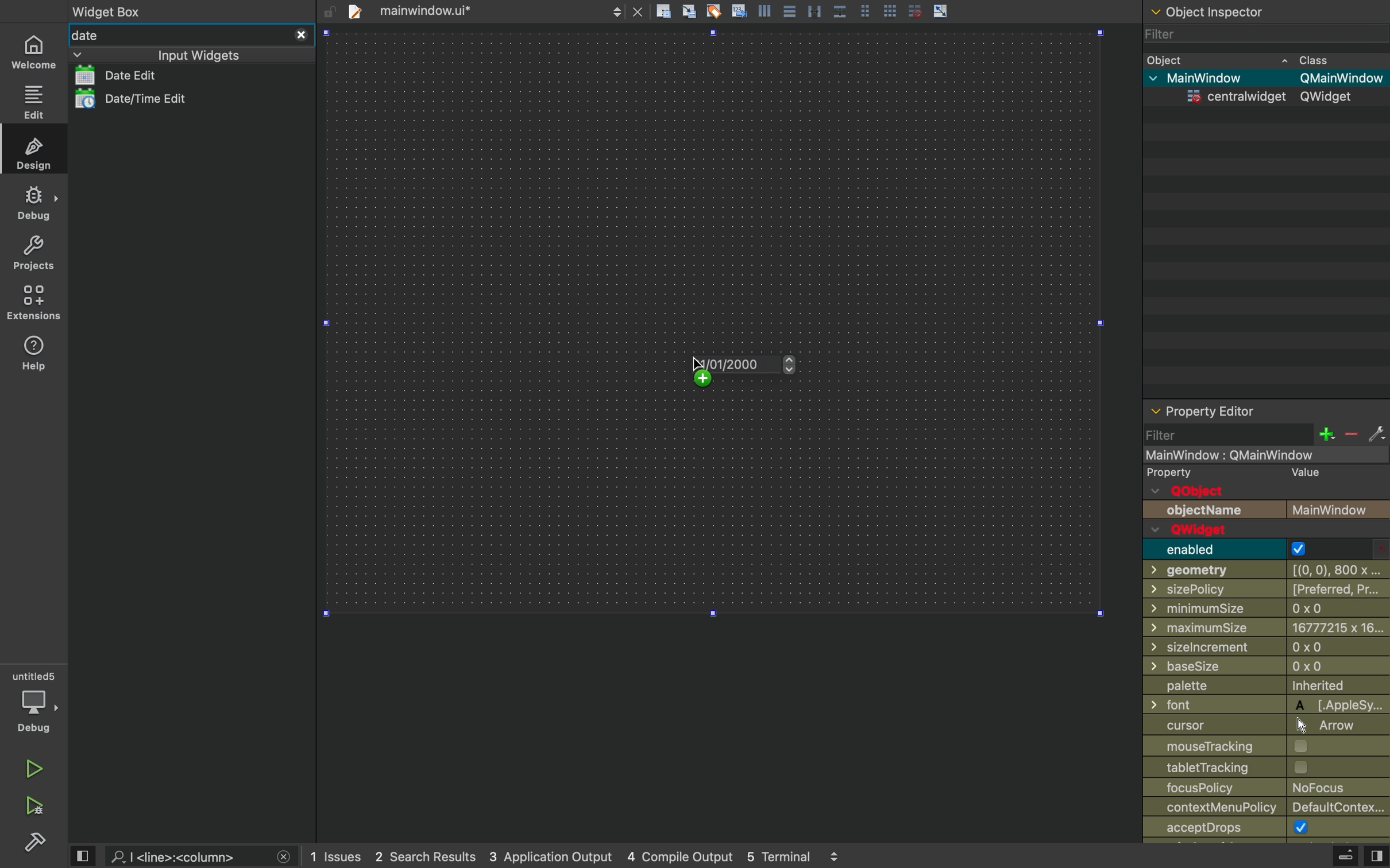  I want to click on logs, so click(575, 855).